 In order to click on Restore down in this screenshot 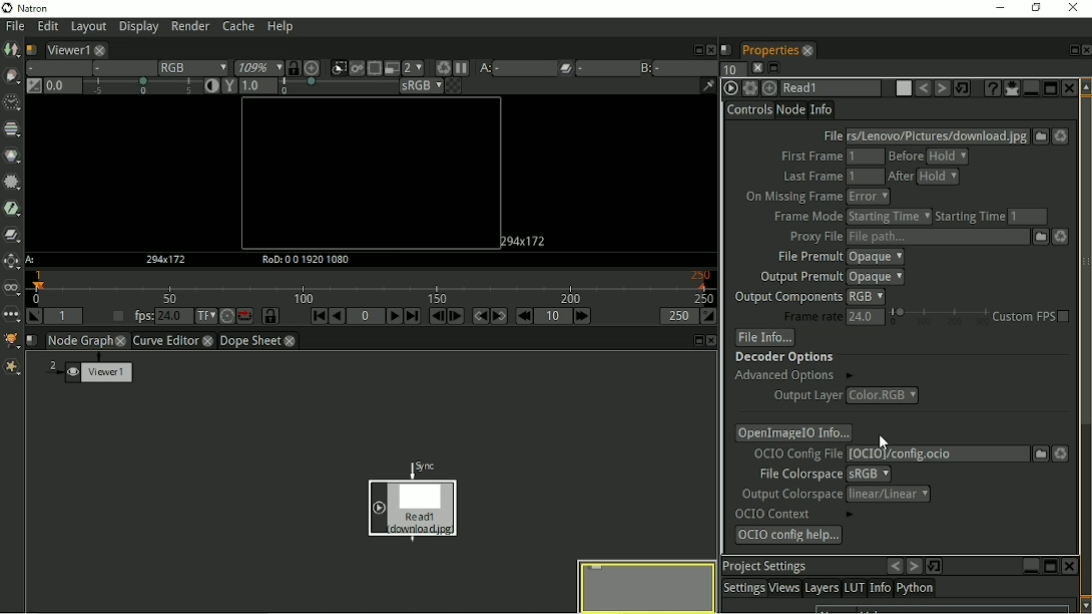, I will do `click(1033, 8)`.